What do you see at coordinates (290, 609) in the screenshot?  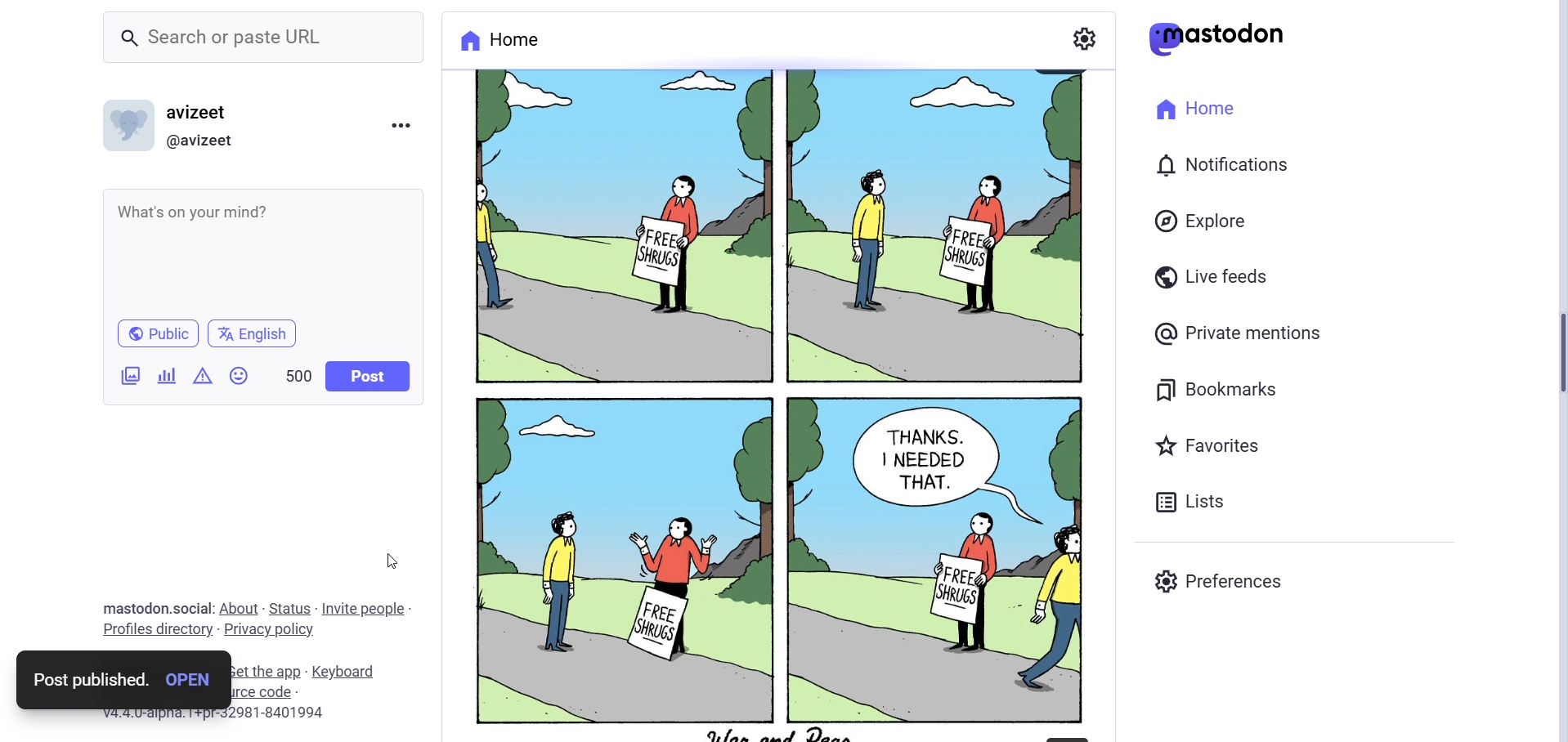 I see `Status` at bounding box center [290, 609].